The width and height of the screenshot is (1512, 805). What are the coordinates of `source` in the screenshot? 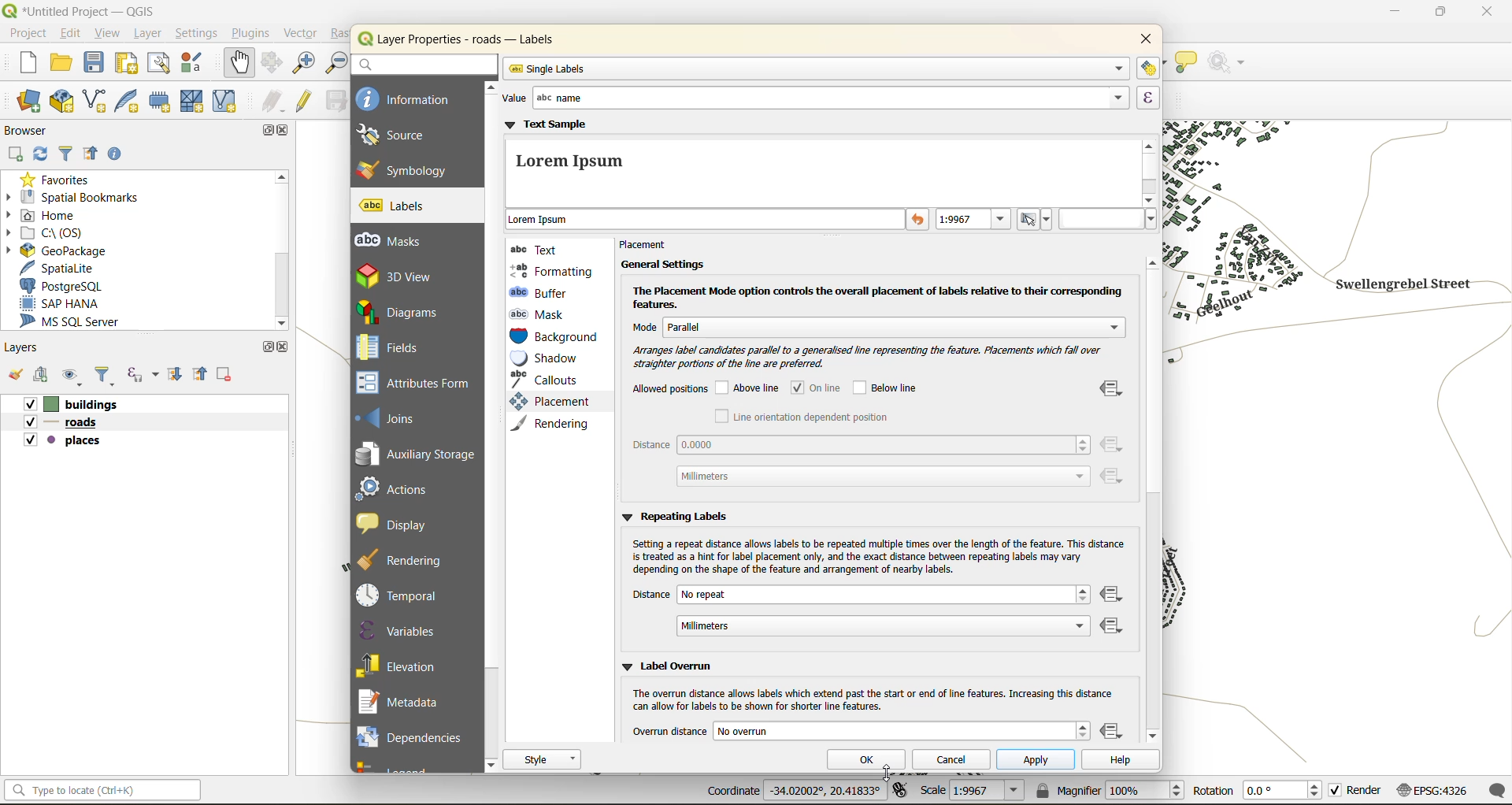 It's located at (402, 135).